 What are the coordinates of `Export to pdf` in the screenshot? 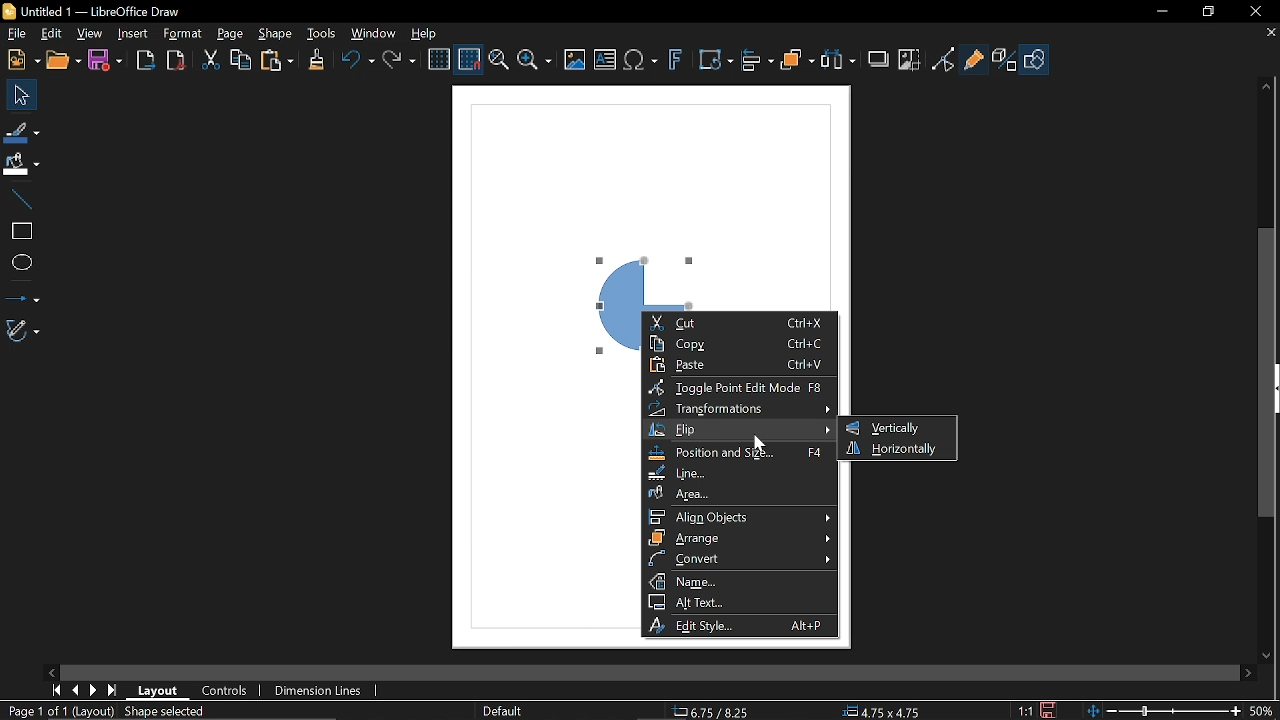 It's located at (175, 59).